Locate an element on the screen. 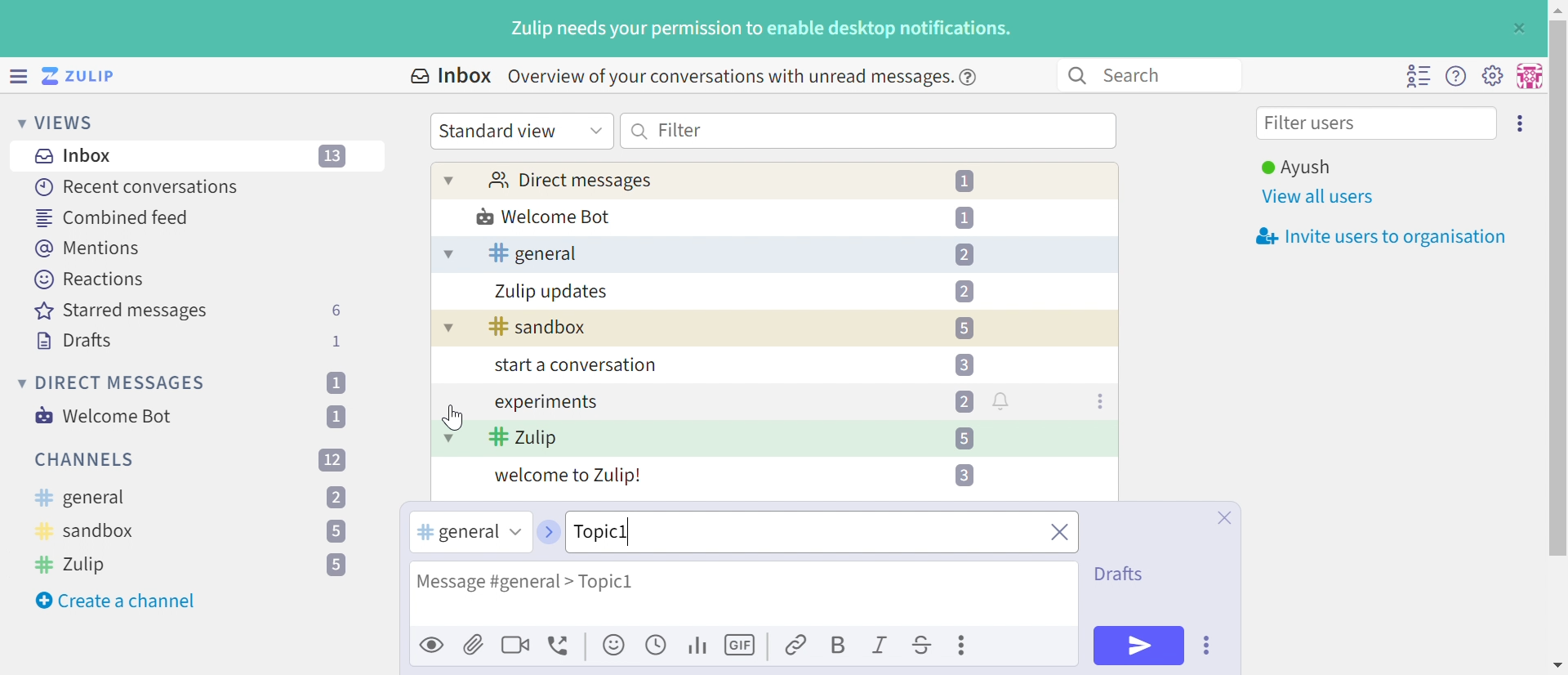 This screenshot has width=1568, height=675. 6 is located at coordinates (336, 311).